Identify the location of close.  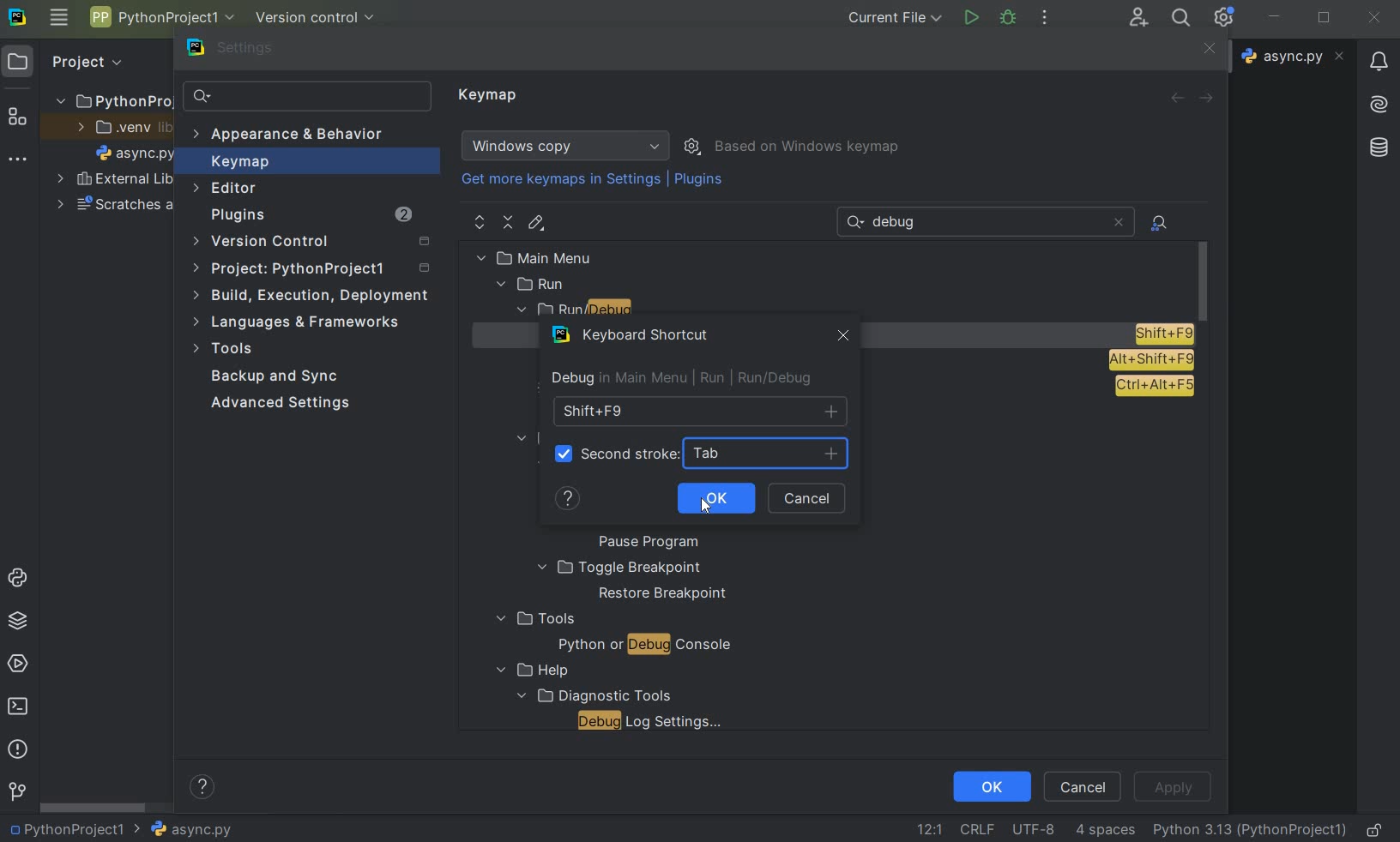
(1374, 18).